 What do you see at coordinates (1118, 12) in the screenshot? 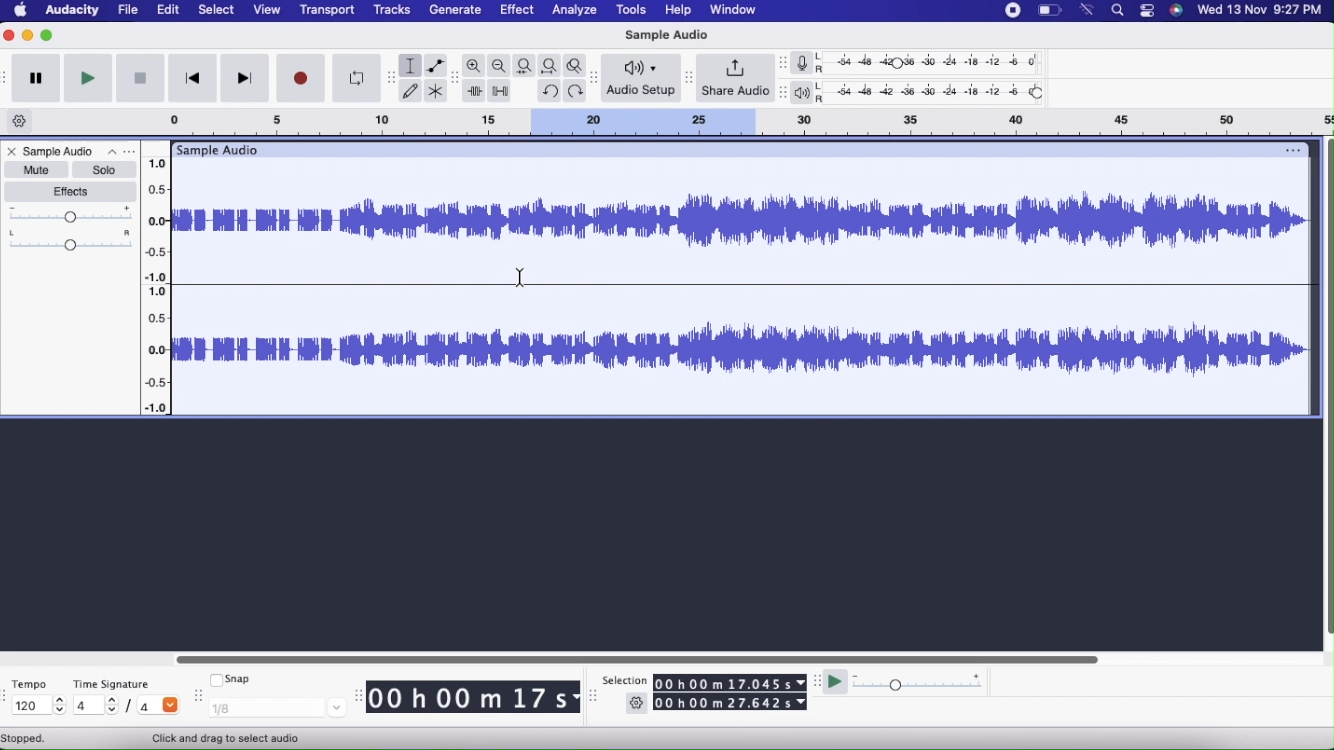
I see `spotlight` at bounding box center [1118, 12].